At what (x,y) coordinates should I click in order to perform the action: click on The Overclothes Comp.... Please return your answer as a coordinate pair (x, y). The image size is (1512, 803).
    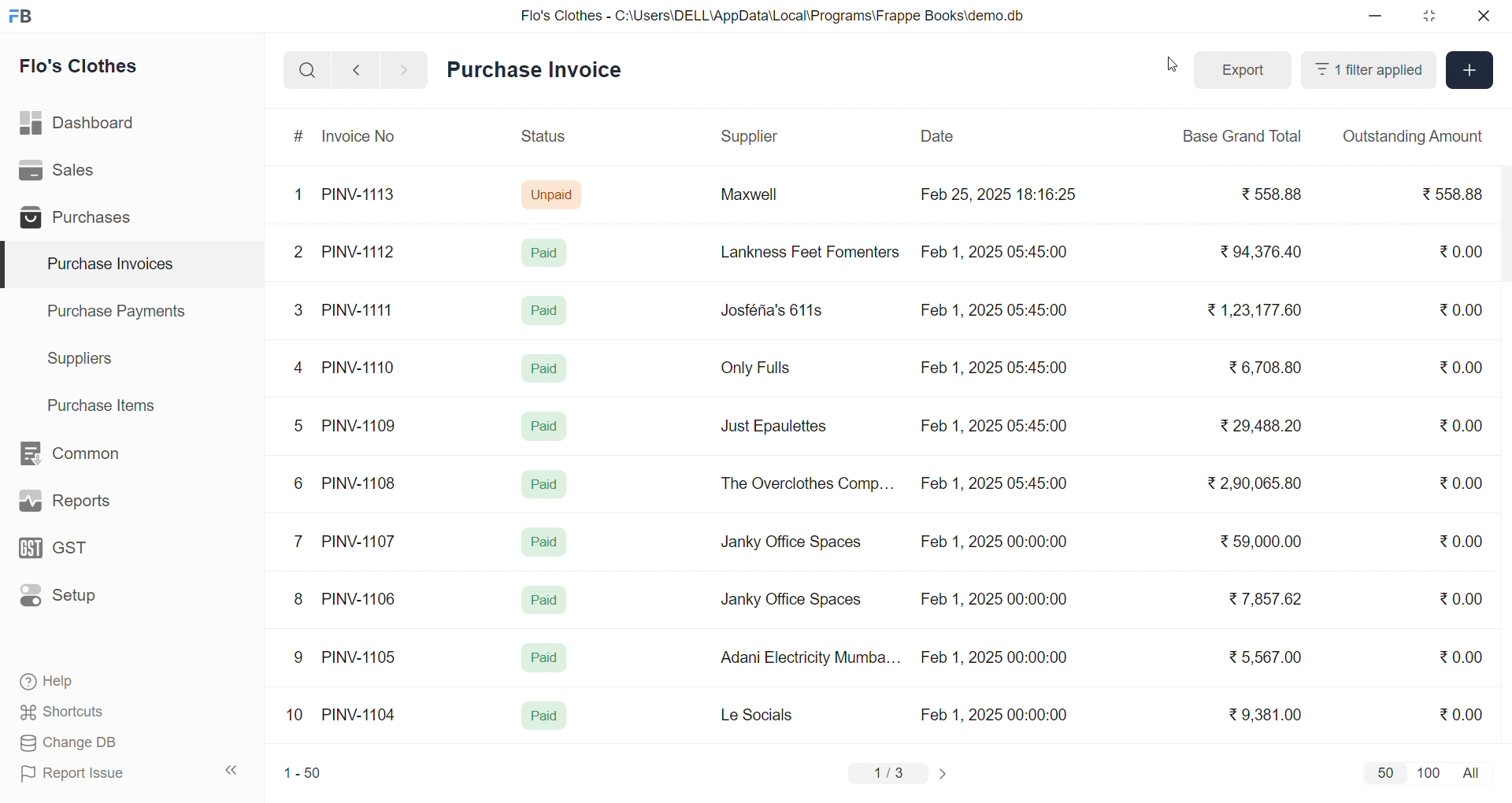
    Looking at the image, I should click on (805, 483).